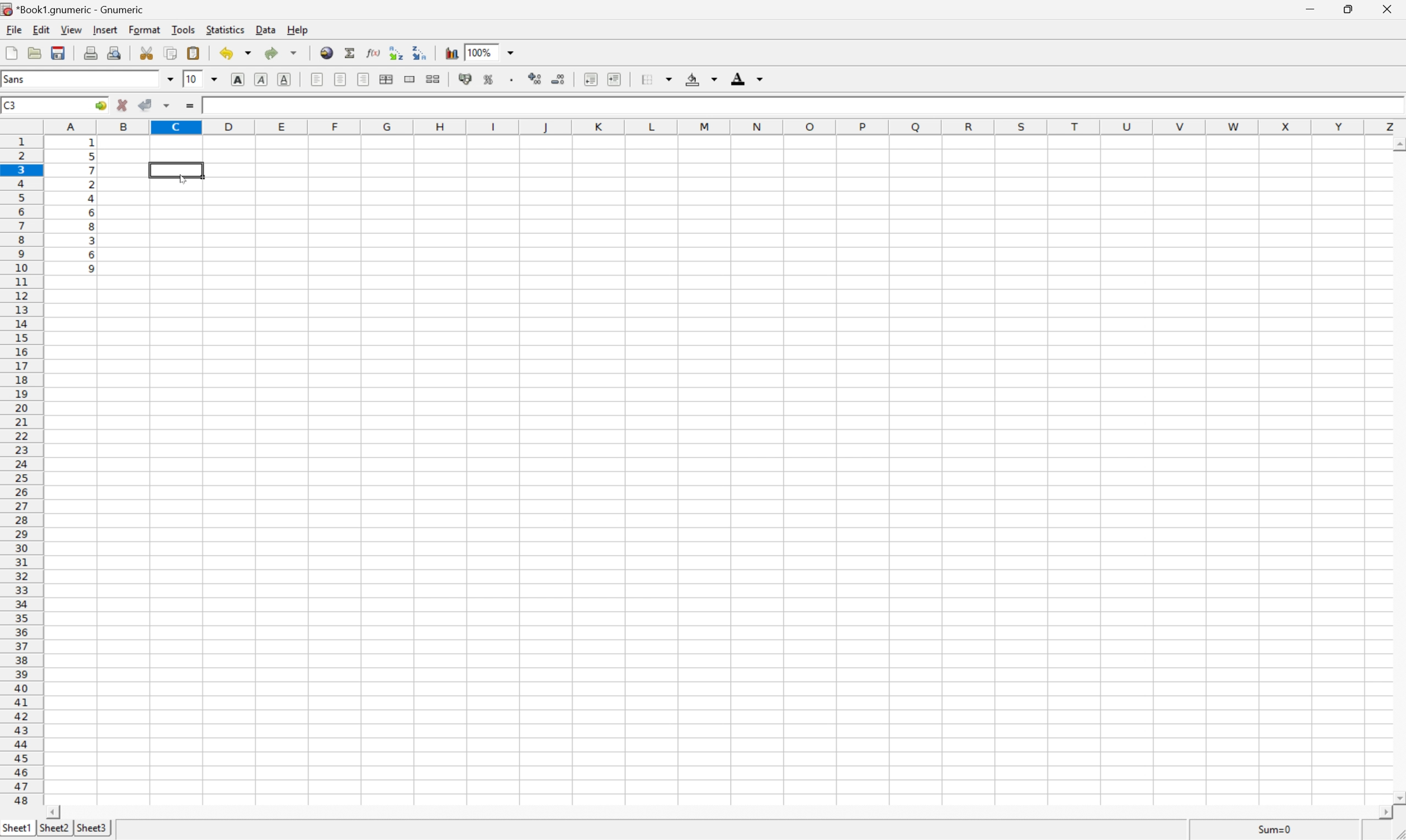 Image resolution: width=1406 pixels, height=840 pixels. I want to click on decrease number of decimals displayed, so click(561, 79).